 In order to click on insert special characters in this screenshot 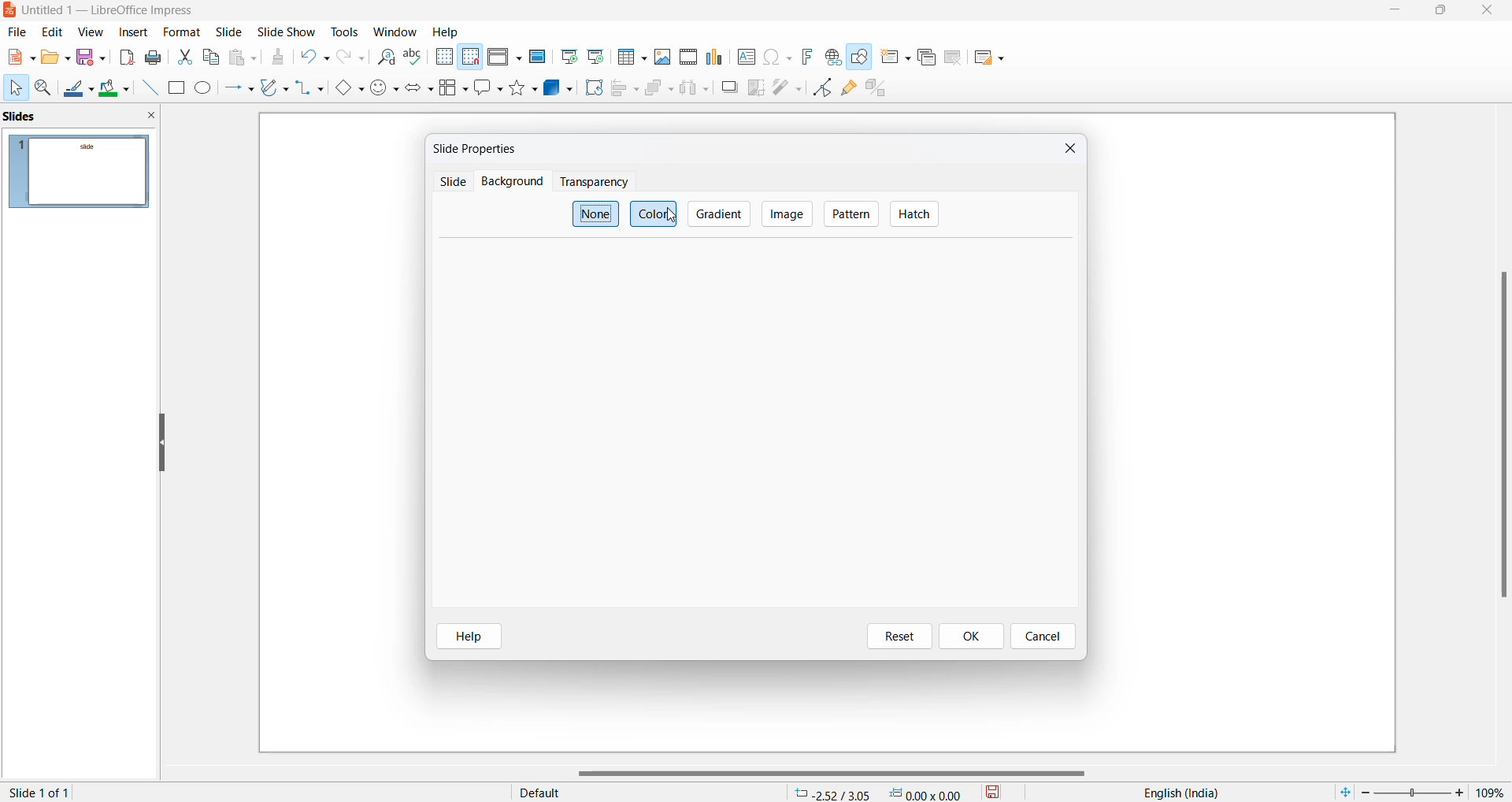, I will do `click(777, 58)`.